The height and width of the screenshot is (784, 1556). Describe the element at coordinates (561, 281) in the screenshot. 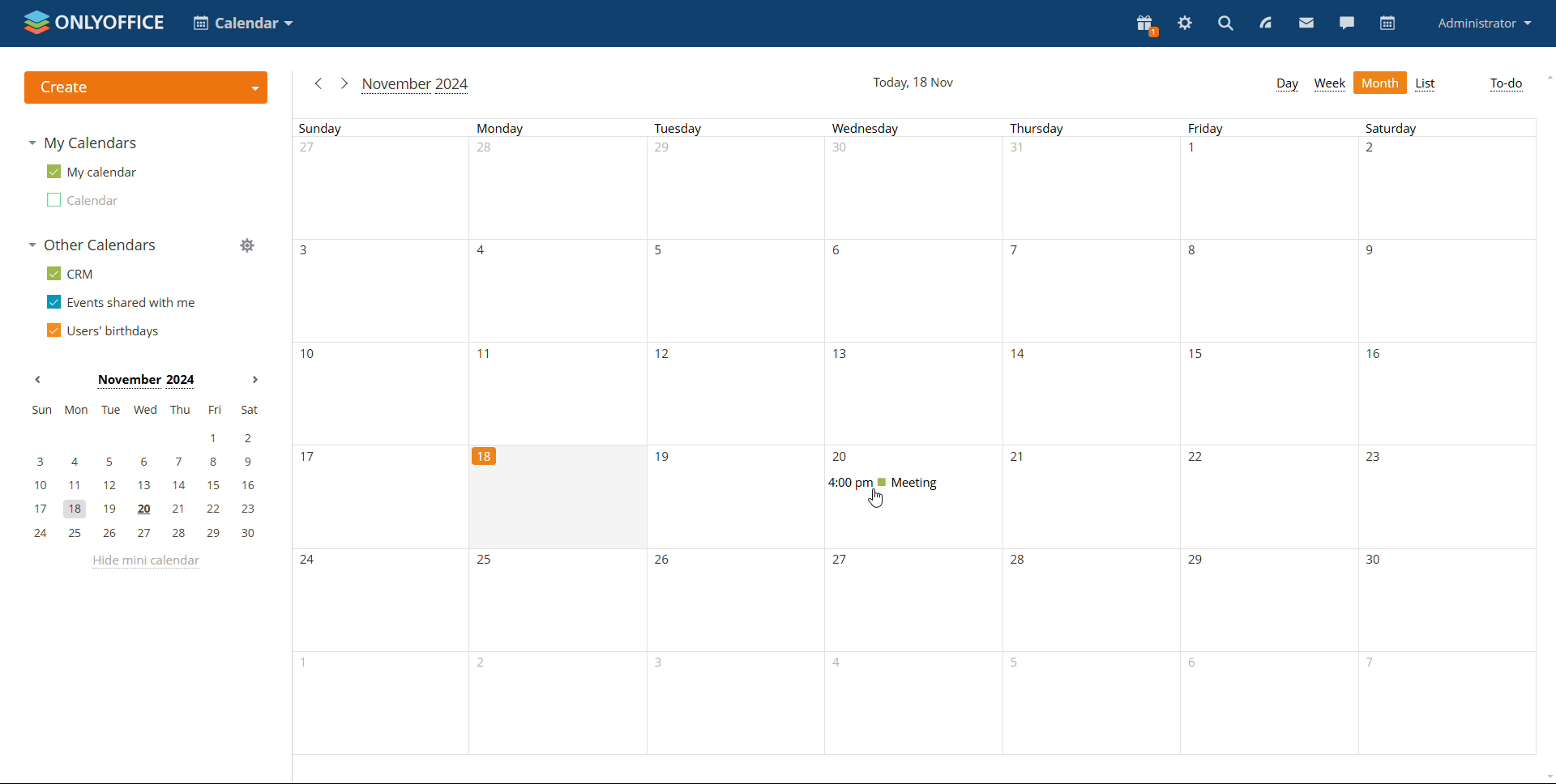

I see `Mondays` at that location.